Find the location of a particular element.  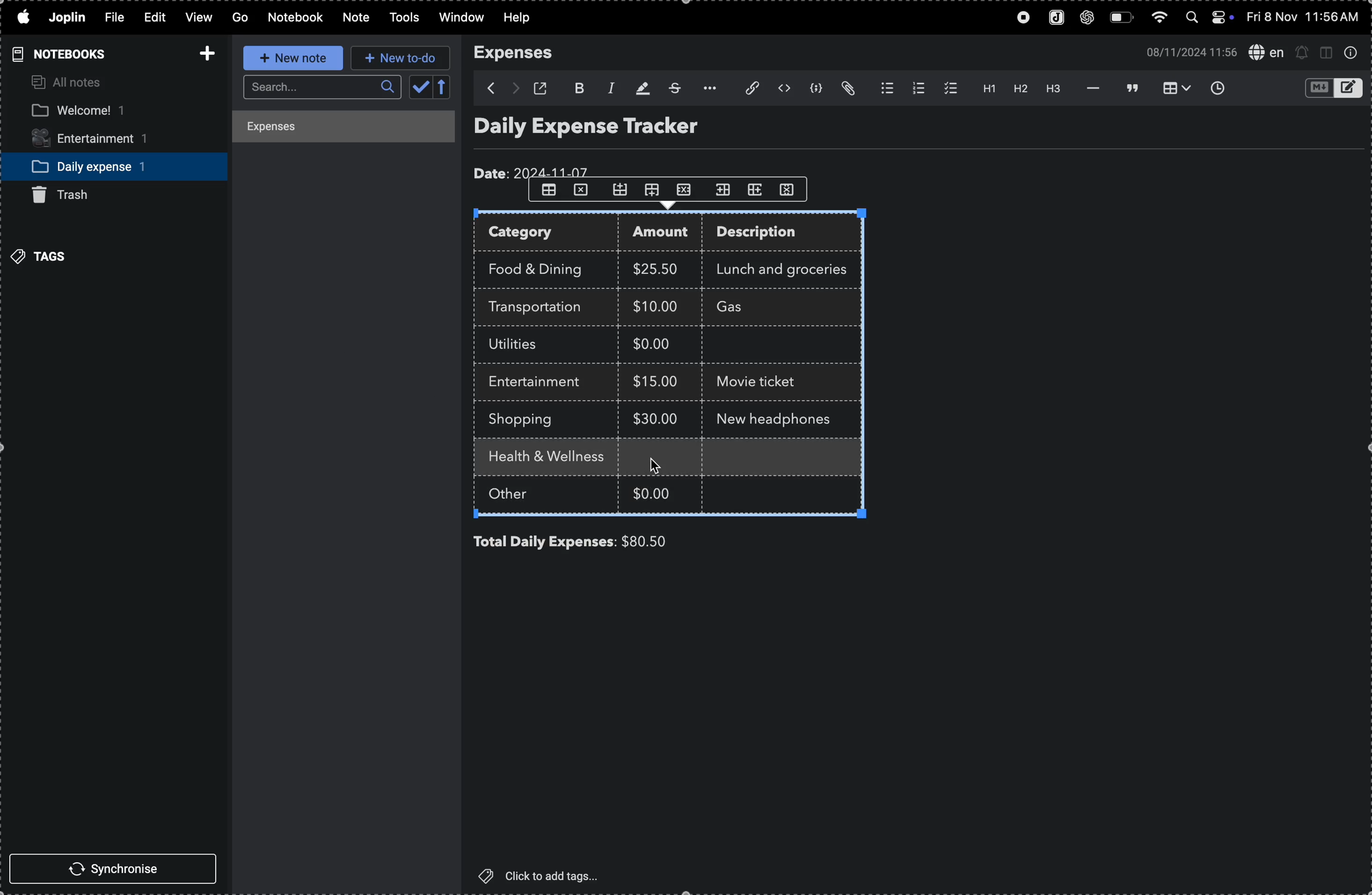

new note is located at coordinates (289, 58).